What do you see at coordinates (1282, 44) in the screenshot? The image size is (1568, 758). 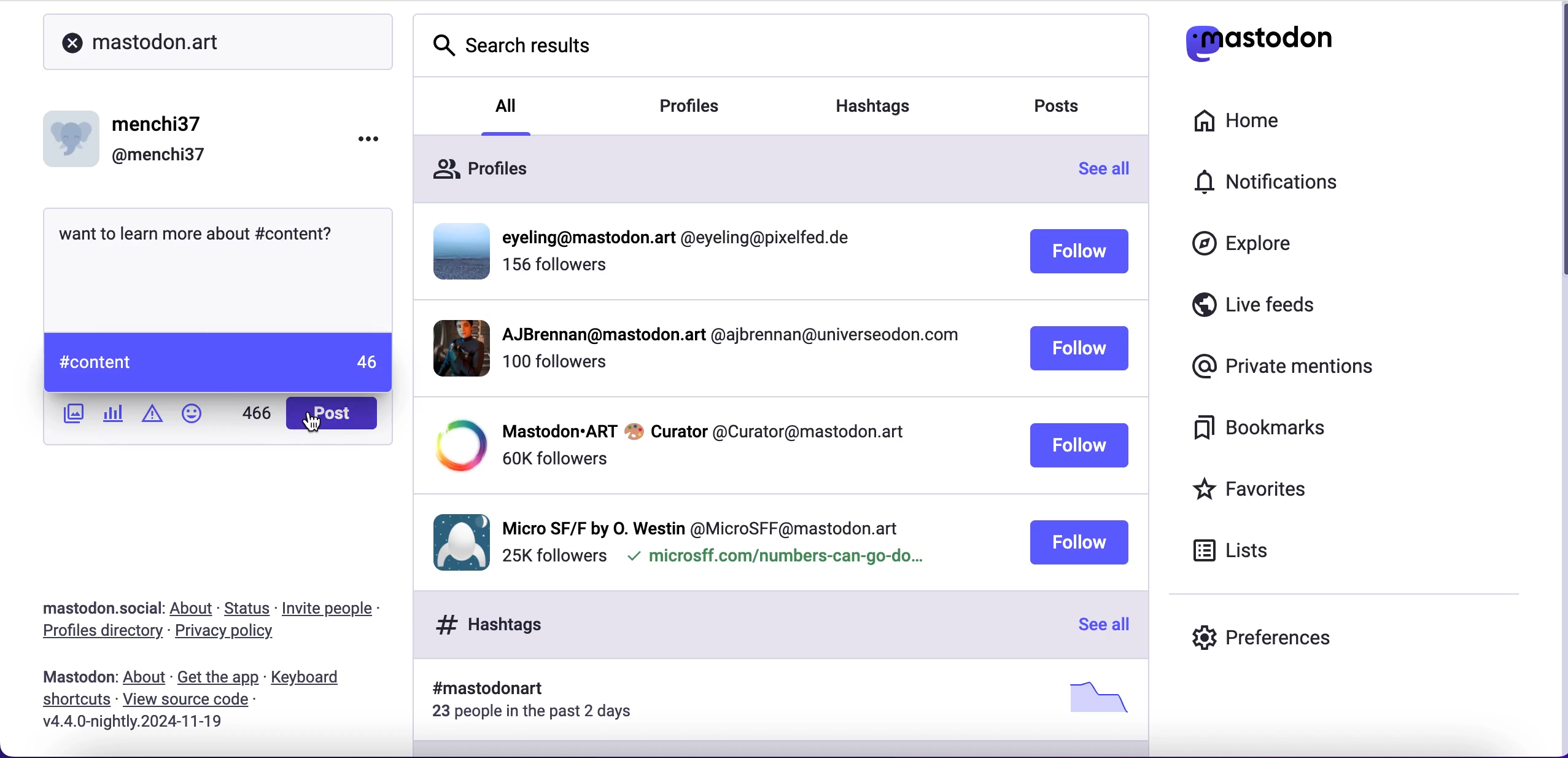 I see `mastodon logo` at bounding box center [1282, 44].